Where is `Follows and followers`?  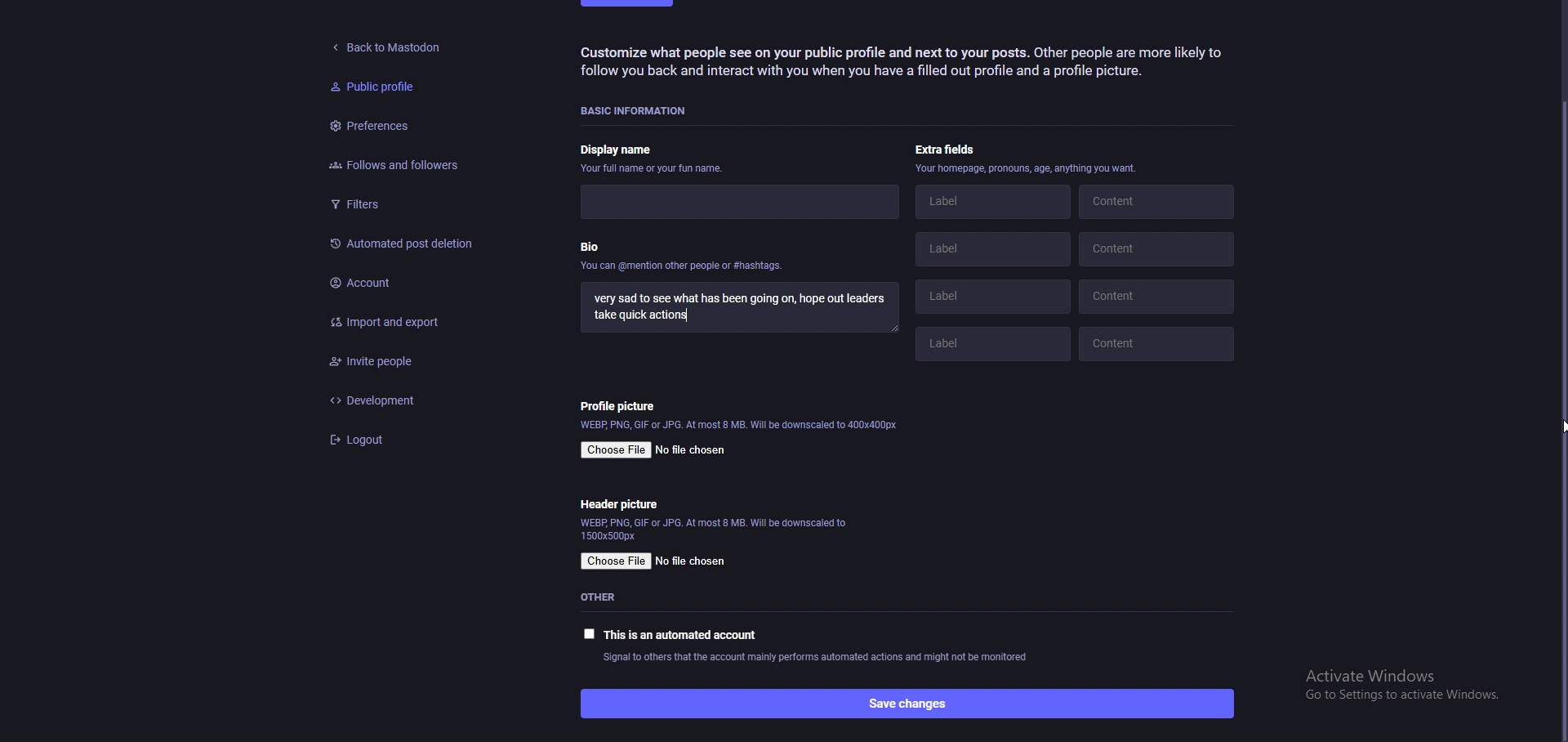 Follows and followers is located at coordinates (388, 165).